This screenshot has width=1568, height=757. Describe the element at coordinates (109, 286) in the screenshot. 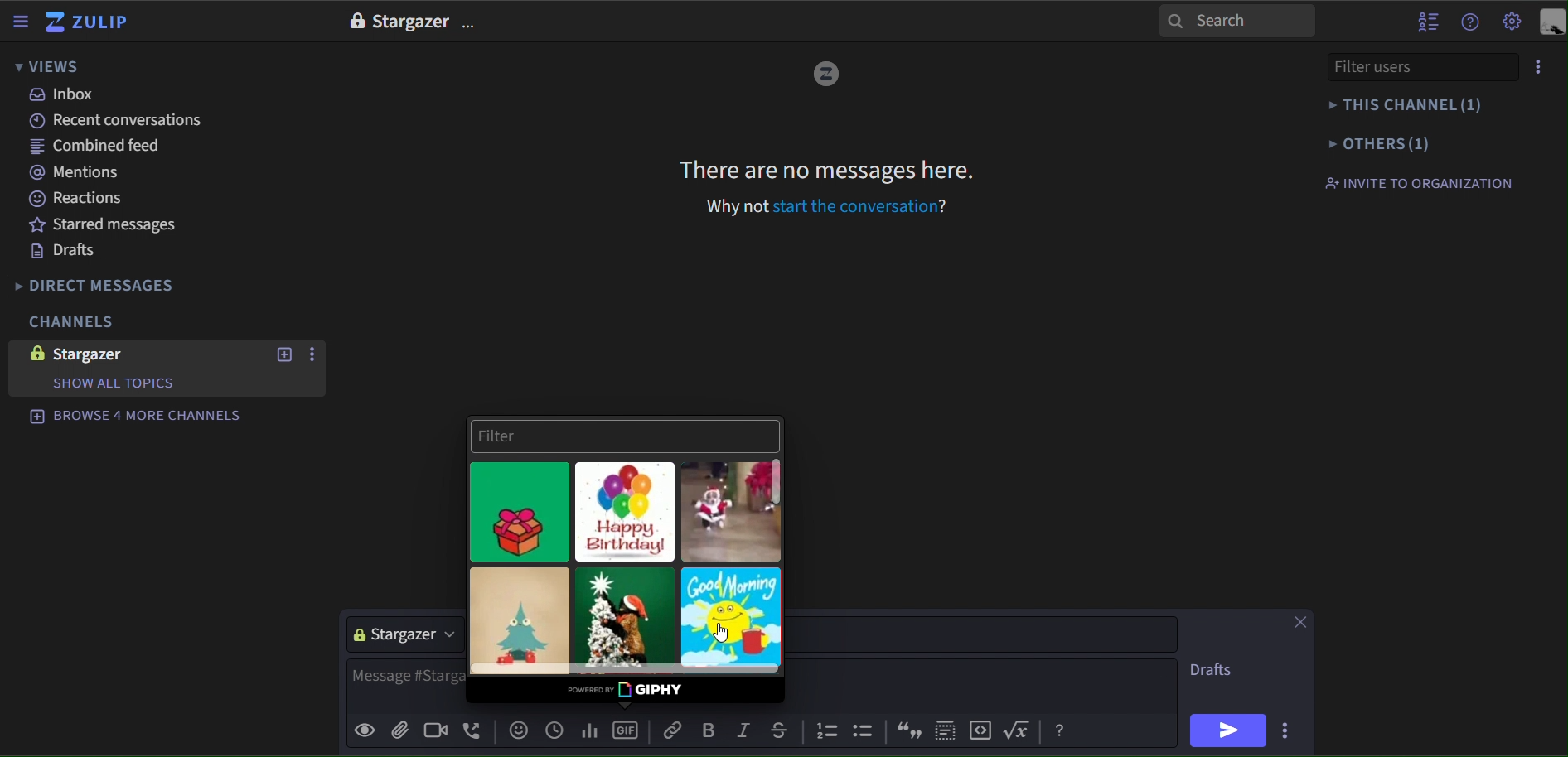

I see `direct messages` at that location.